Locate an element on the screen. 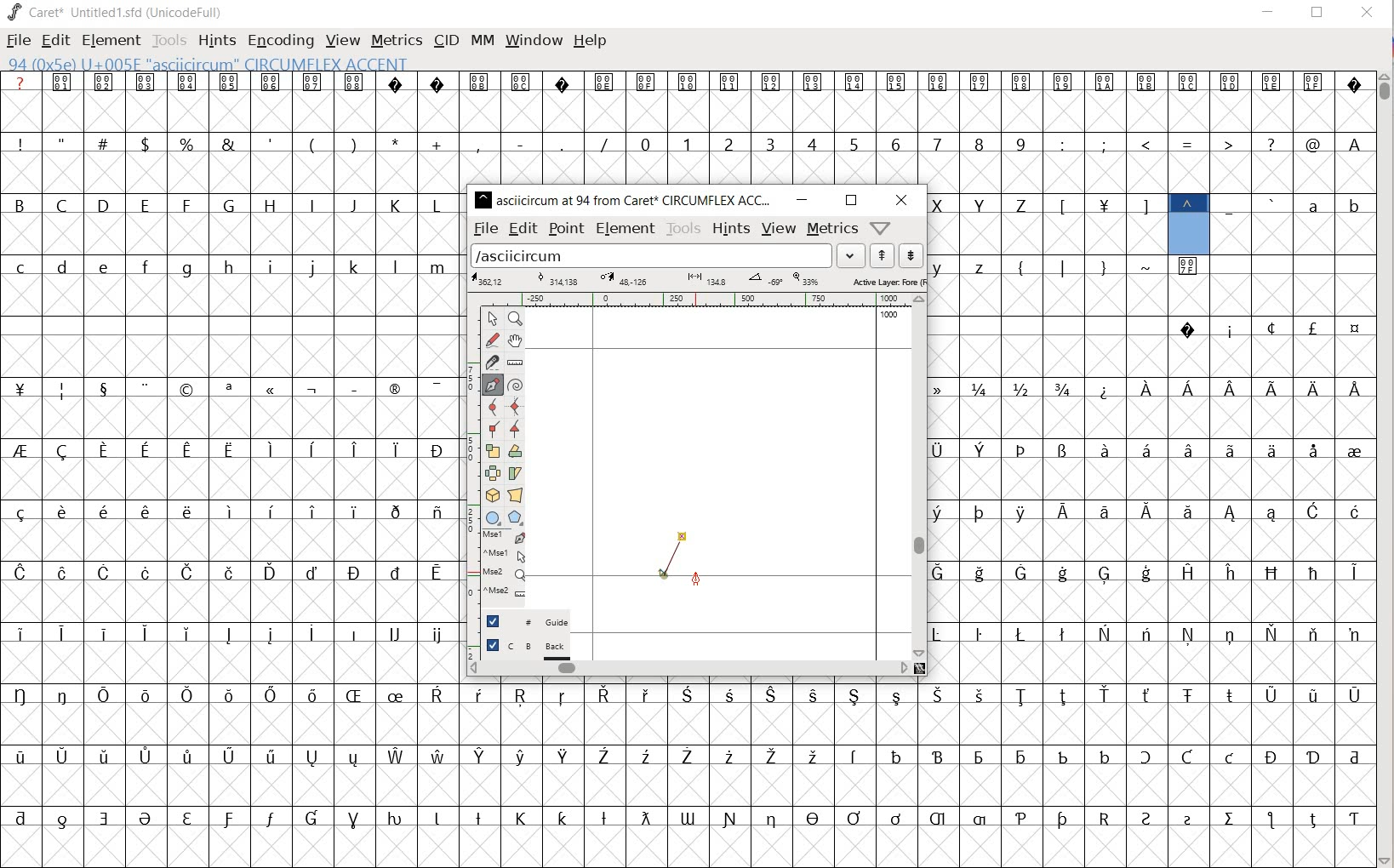 This screenshot has height=868, width=1394. load word list is located at coordinates (667, 257).